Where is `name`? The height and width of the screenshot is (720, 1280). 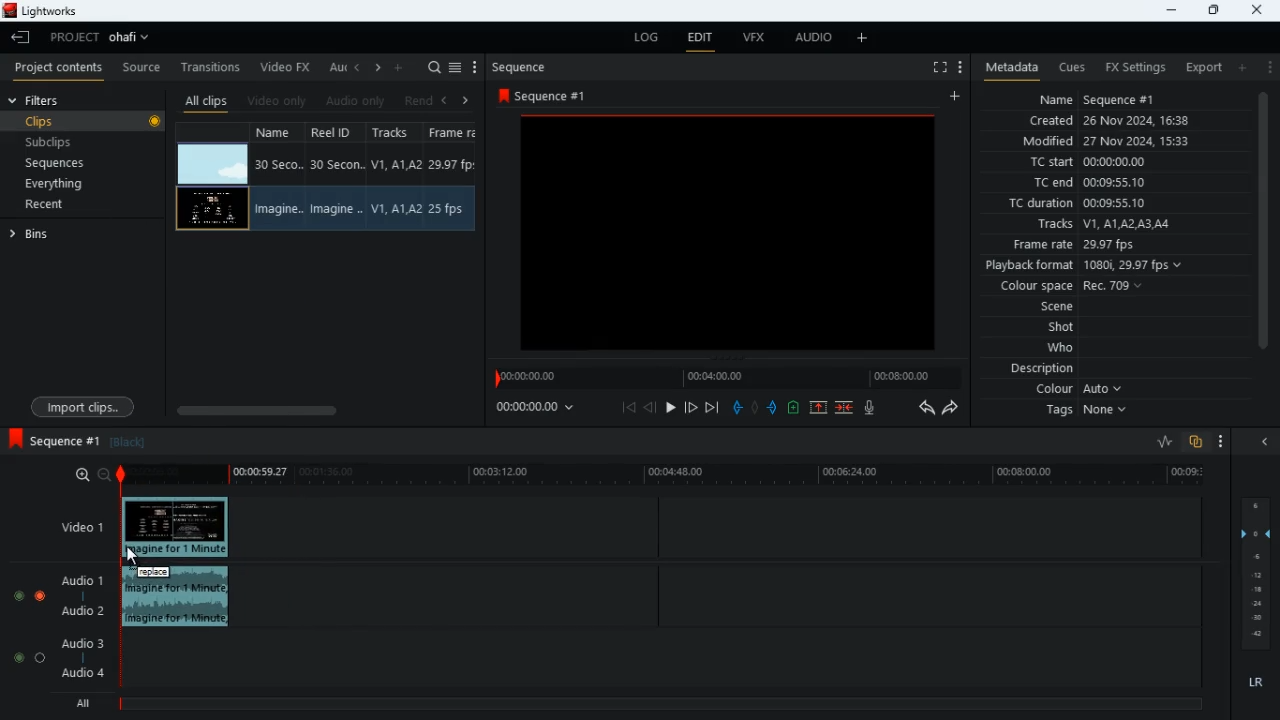
name is located at coordinates (278, 134).